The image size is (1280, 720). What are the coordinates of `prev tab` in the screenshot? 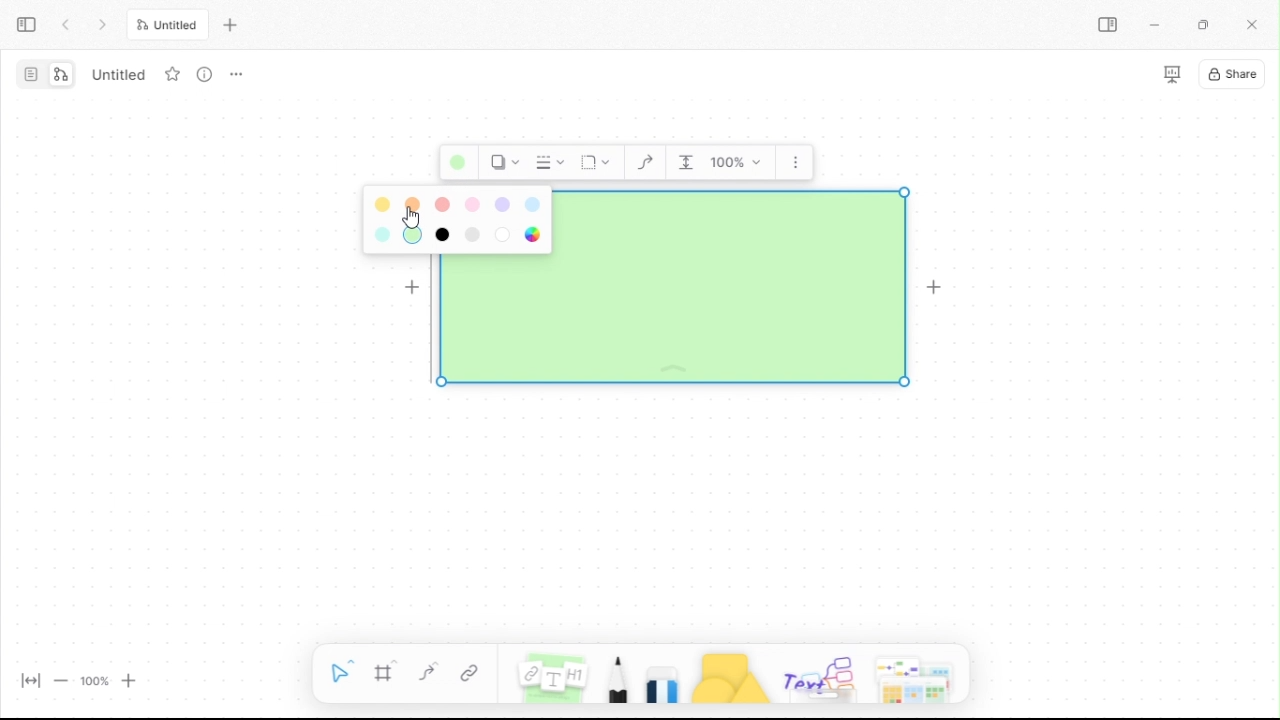 It's located at (66, 26).